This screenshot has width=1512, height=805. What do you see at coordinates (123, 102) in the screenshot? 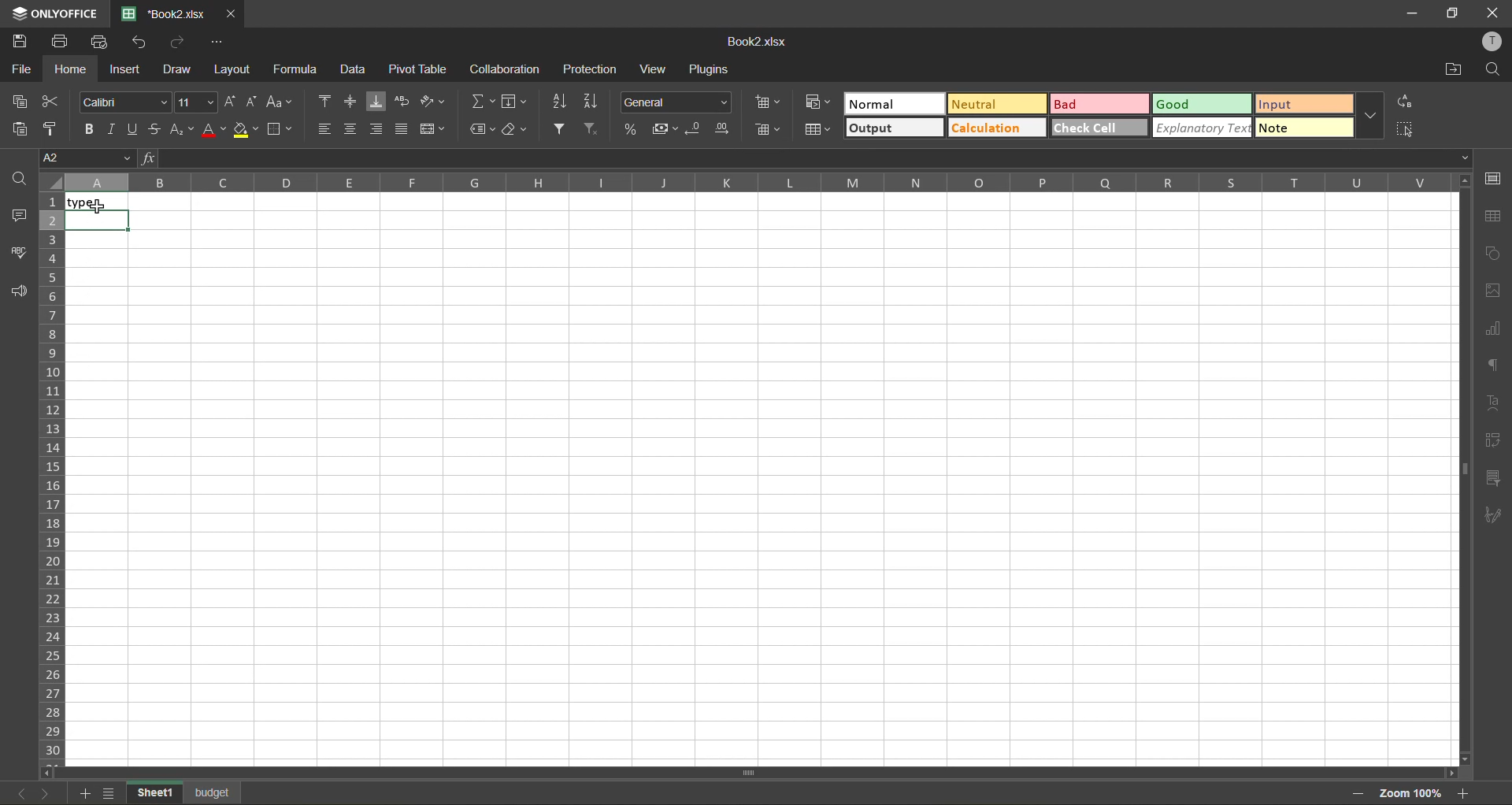
I see `font style` at bounding box center [123, 102].